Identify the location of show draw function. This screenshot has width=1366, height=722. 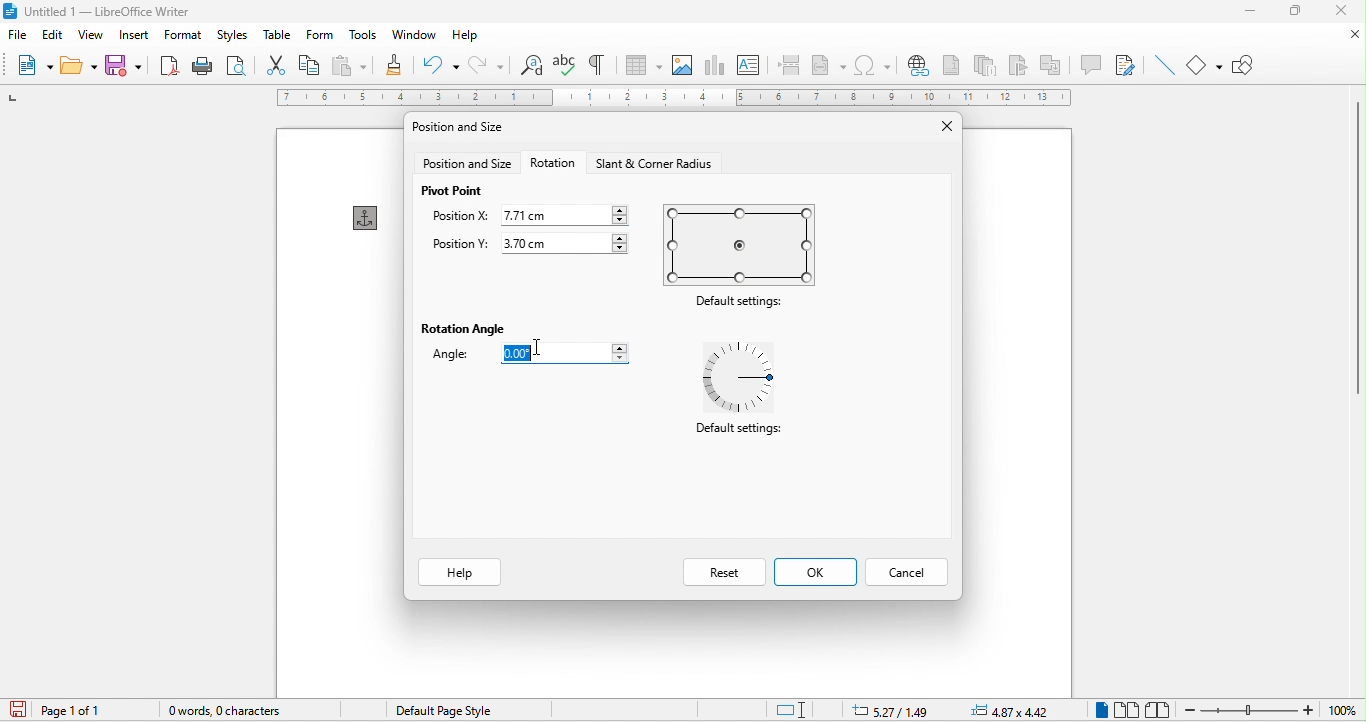
(1245, 62).